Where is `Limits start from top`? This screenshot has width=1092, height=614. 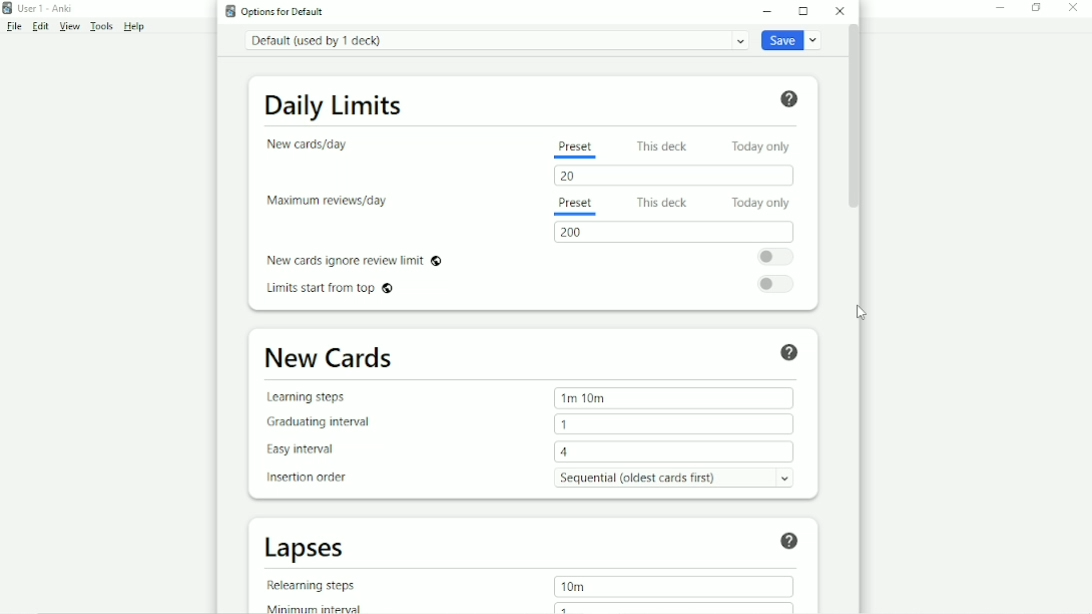 Limits start from top is located at coordinates (329, 289).